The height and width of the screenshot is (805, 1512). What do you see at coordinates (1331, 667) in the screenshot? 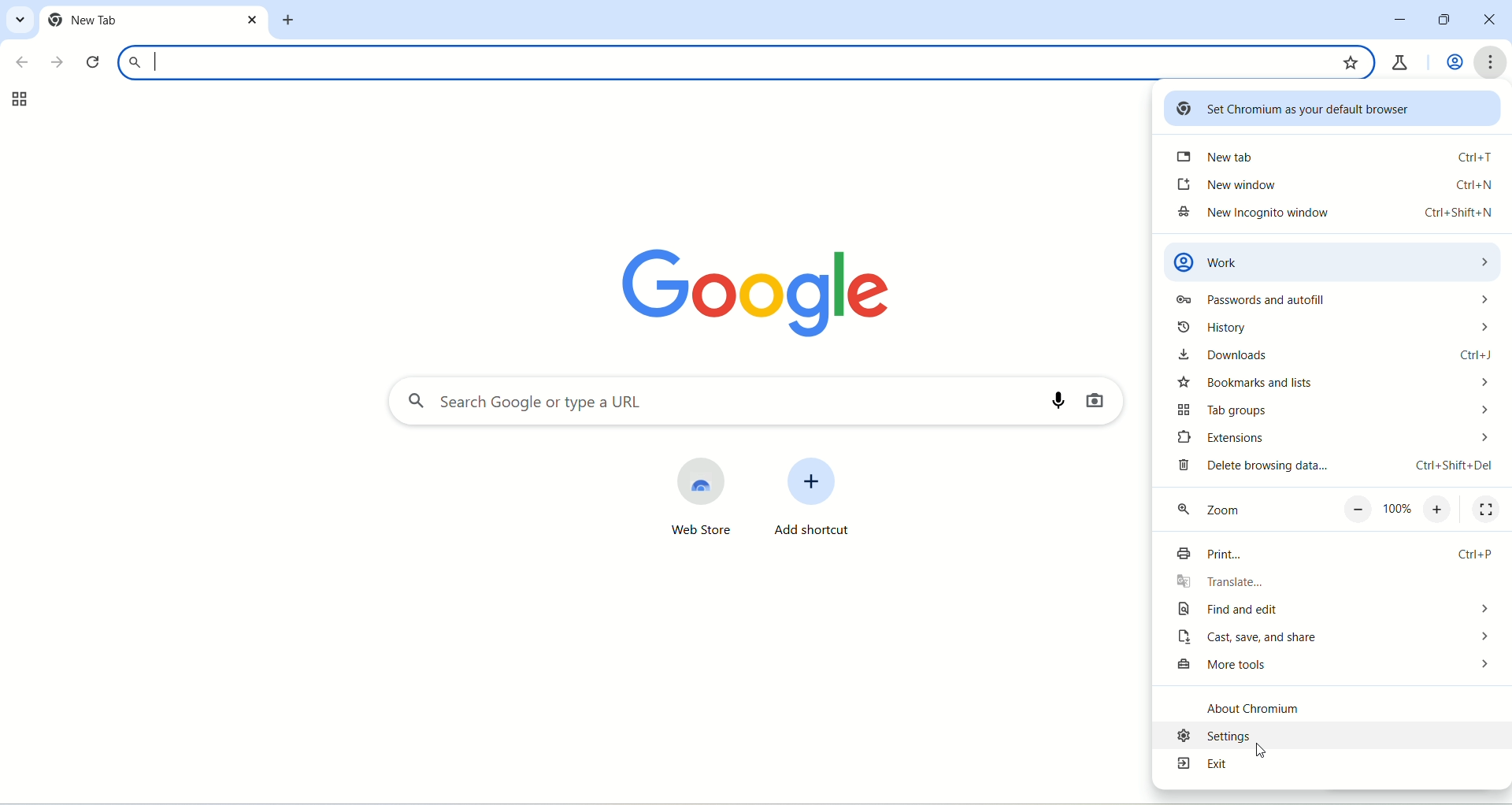
I see `more tools` at bounding box center [1331, 667].